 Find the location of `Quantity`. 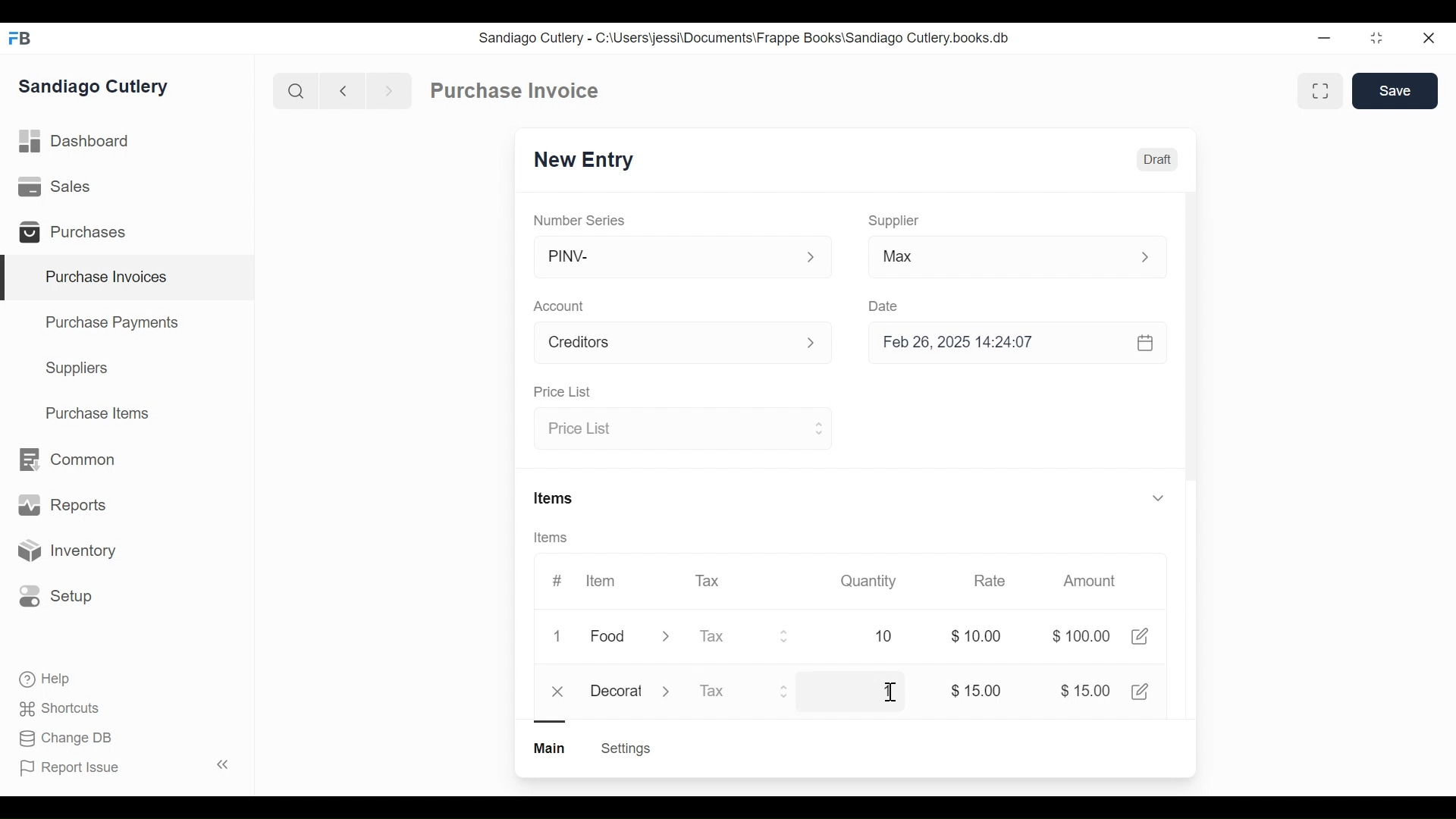

Quantity is located at coordinates (867, 580).